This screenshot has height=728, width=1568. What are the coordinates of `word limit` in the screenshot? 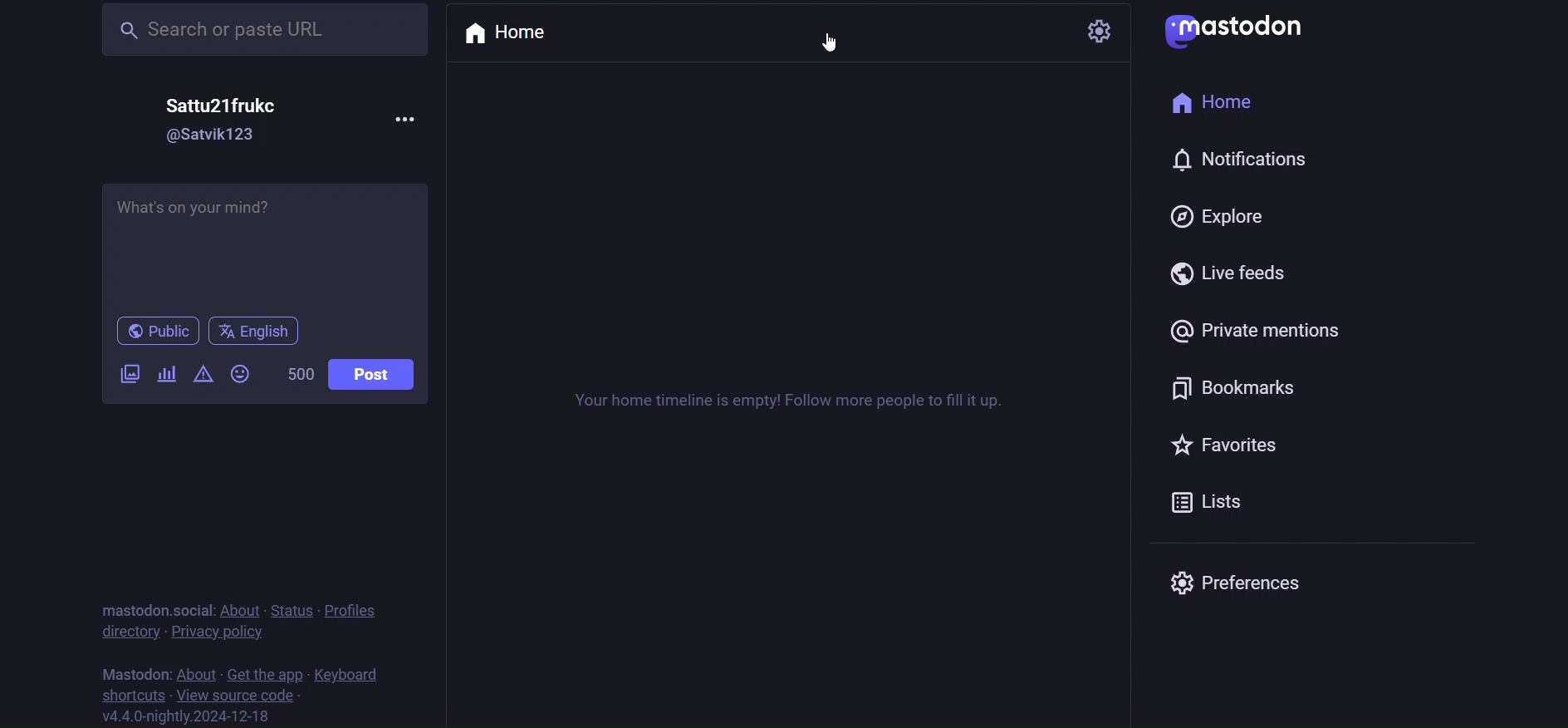 It's located at (304, 371).